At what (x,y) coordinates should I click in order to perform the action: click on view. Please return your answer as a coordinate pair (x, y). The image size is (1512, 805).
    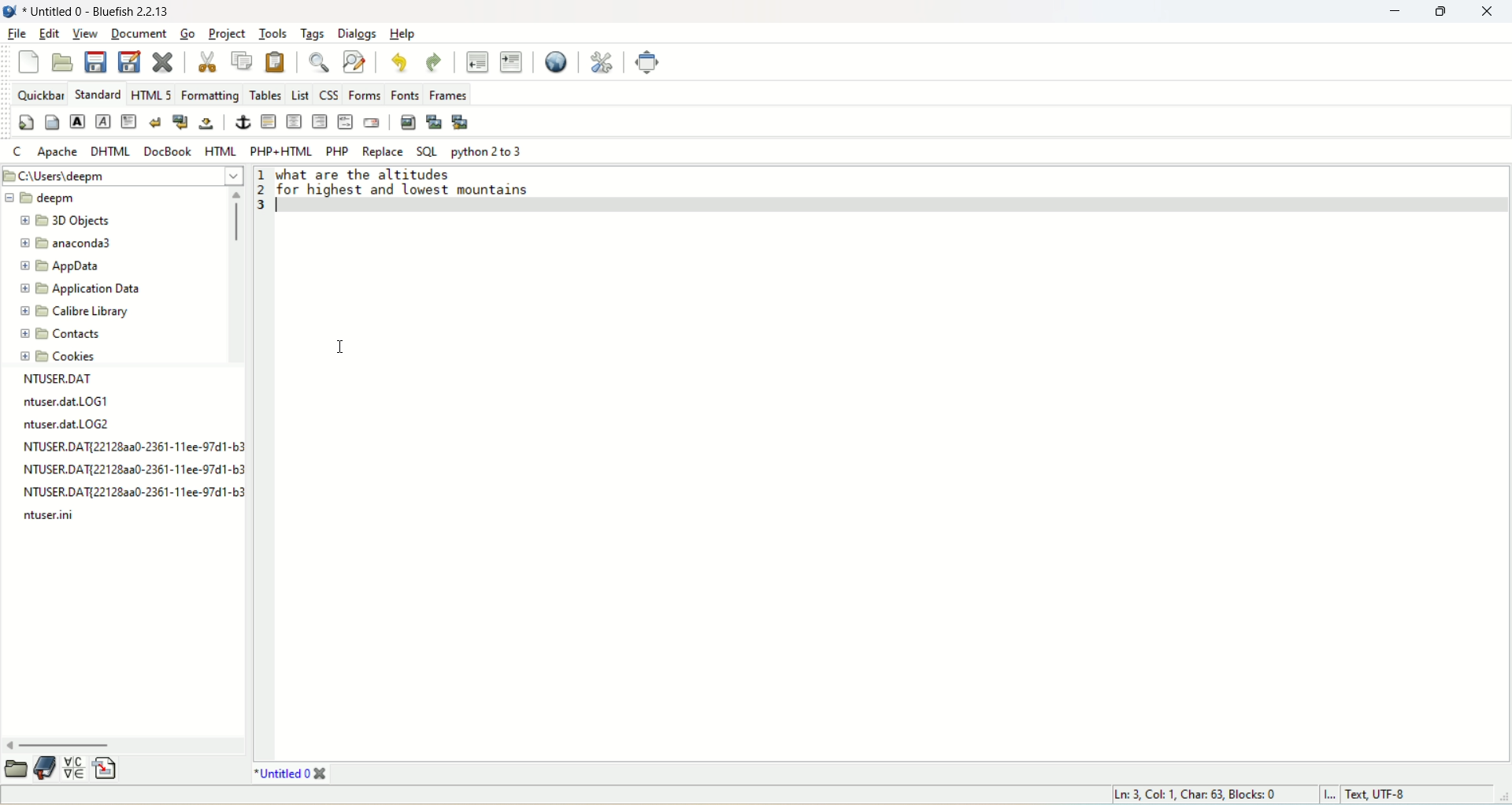
    Looking at the image, I should click on (84, 33).